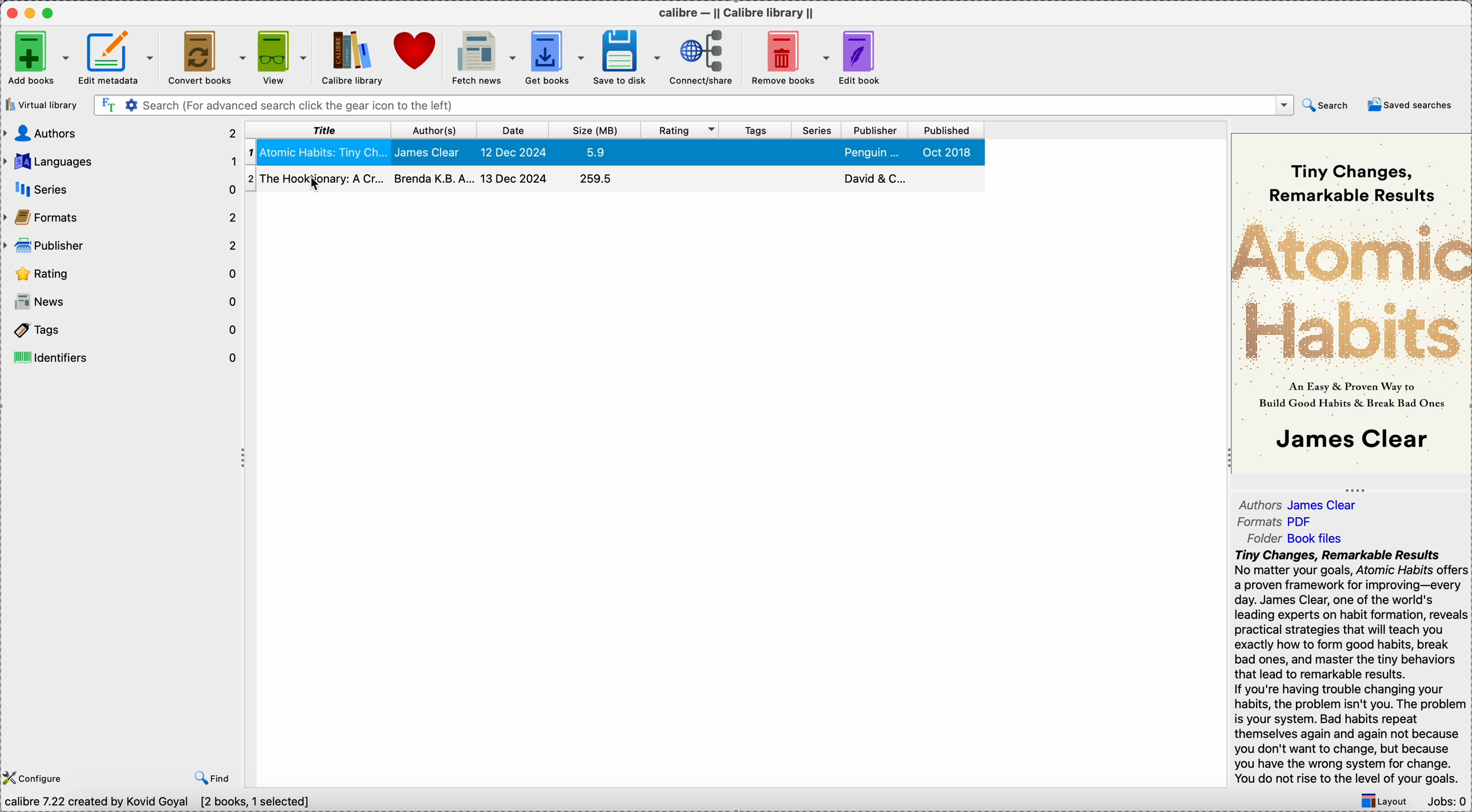 The image size is (1472, 812). Describe the element at coordinates (517, 129) in the screenshot. I see `date` at that location.